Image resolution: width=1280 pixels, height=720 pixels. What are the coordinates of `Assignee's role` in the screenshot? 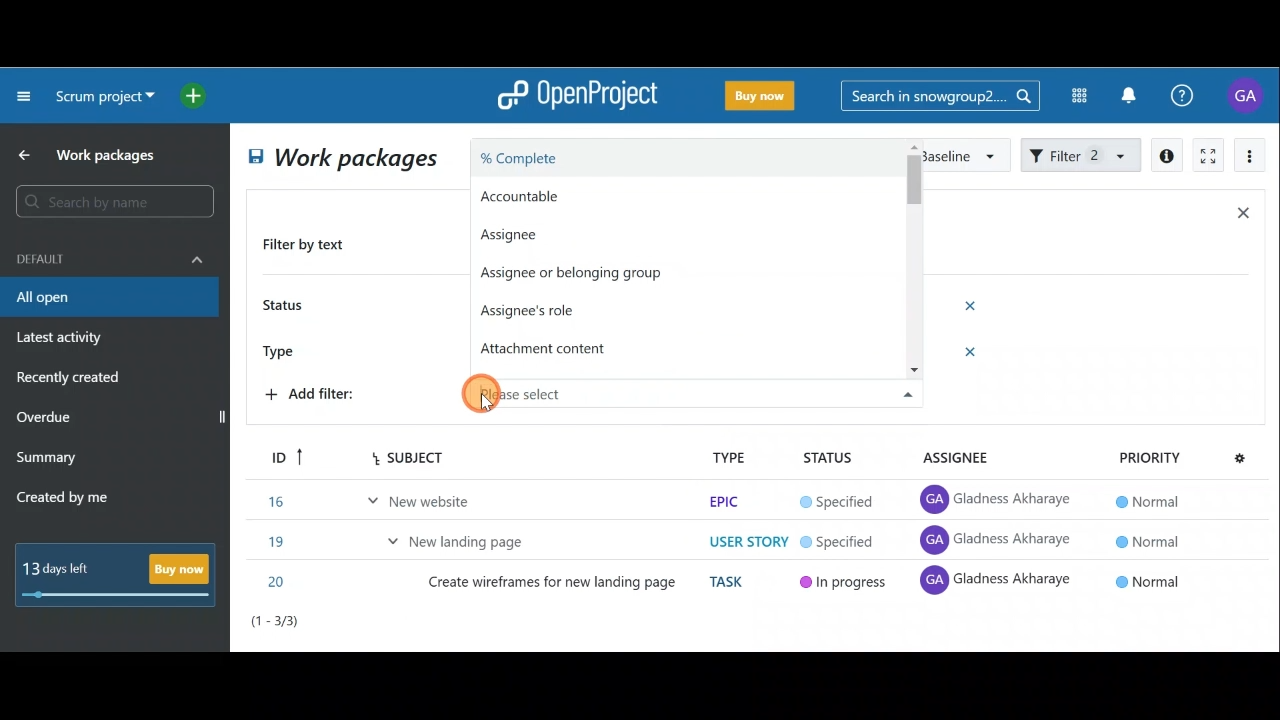 It's located at (534, 308).